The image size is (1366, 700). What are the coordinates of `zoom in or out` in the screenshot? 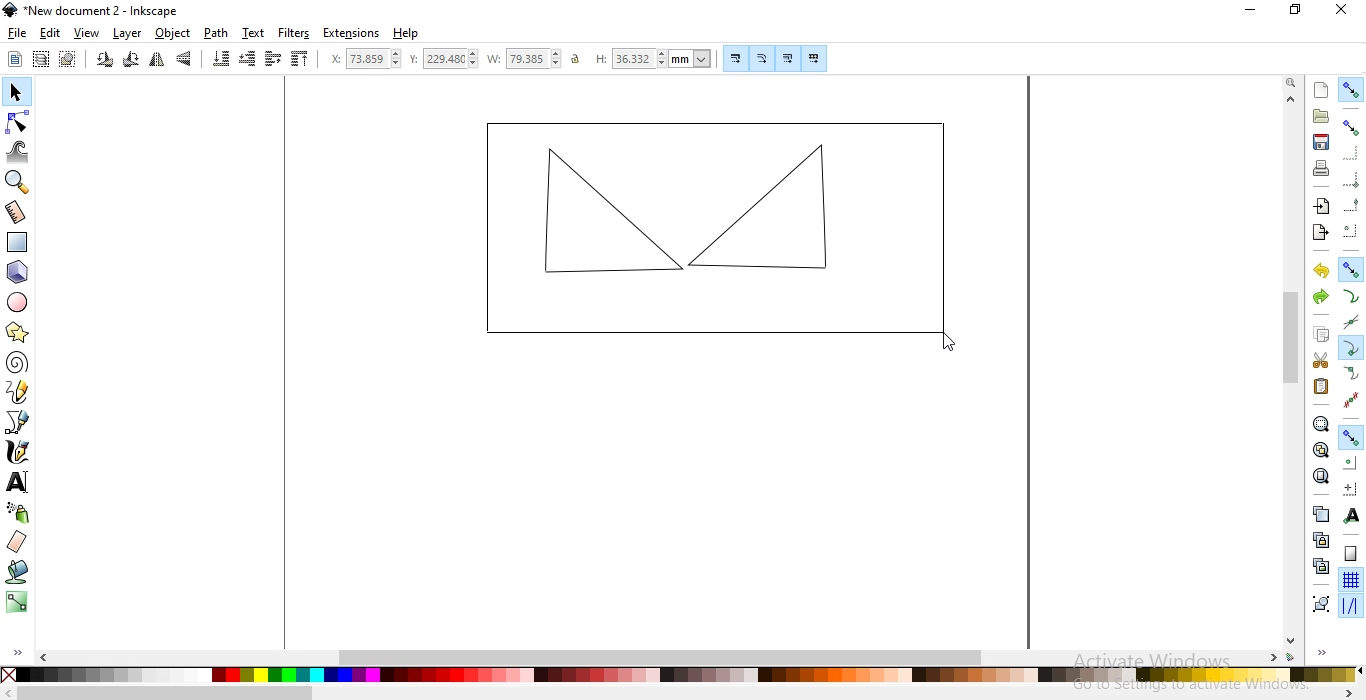 It's located at (17, 183).